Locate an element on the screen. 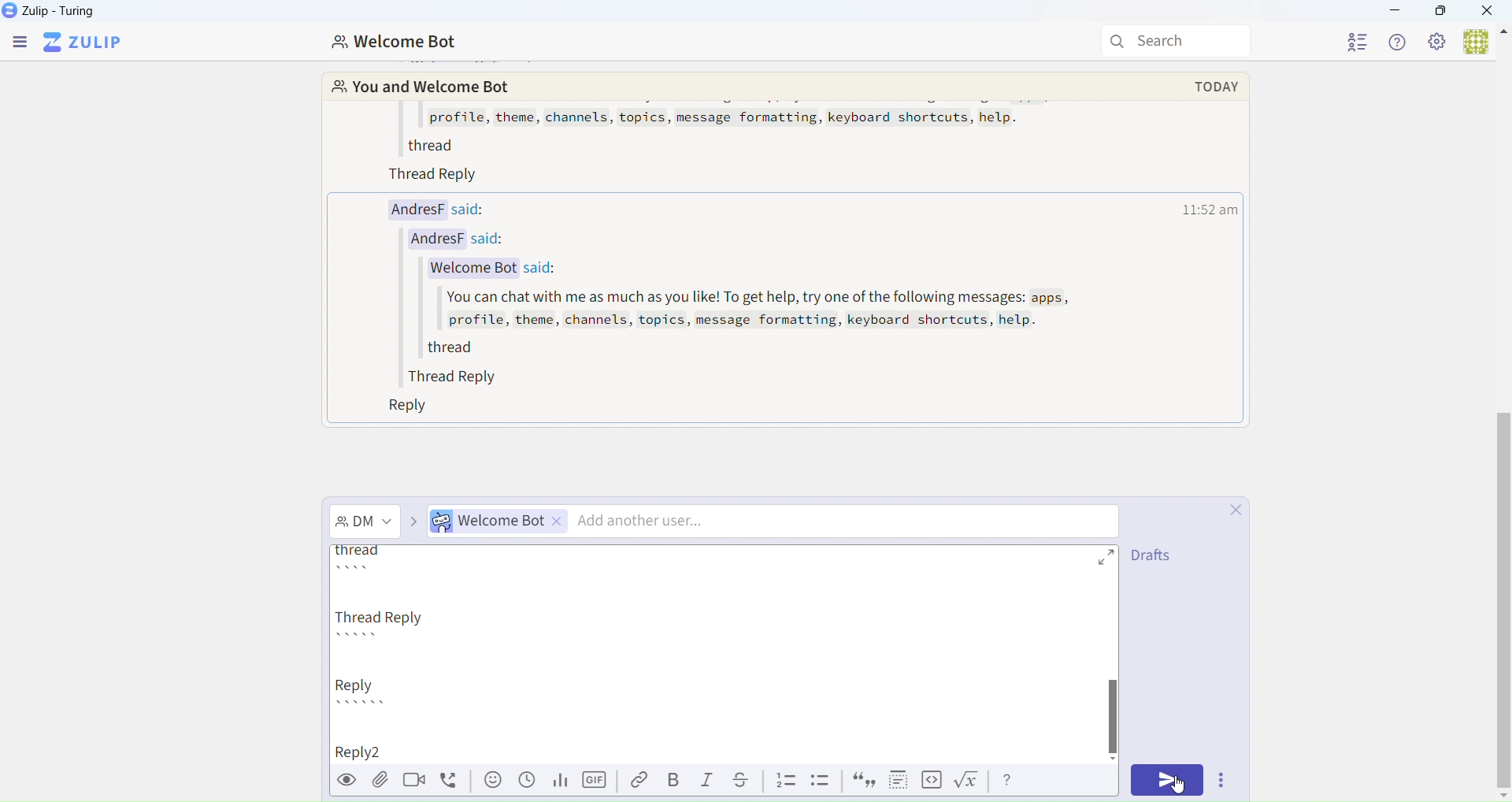 The width and height of the screenshot is (1512, 802). thread is located at coordinates (426, 144).